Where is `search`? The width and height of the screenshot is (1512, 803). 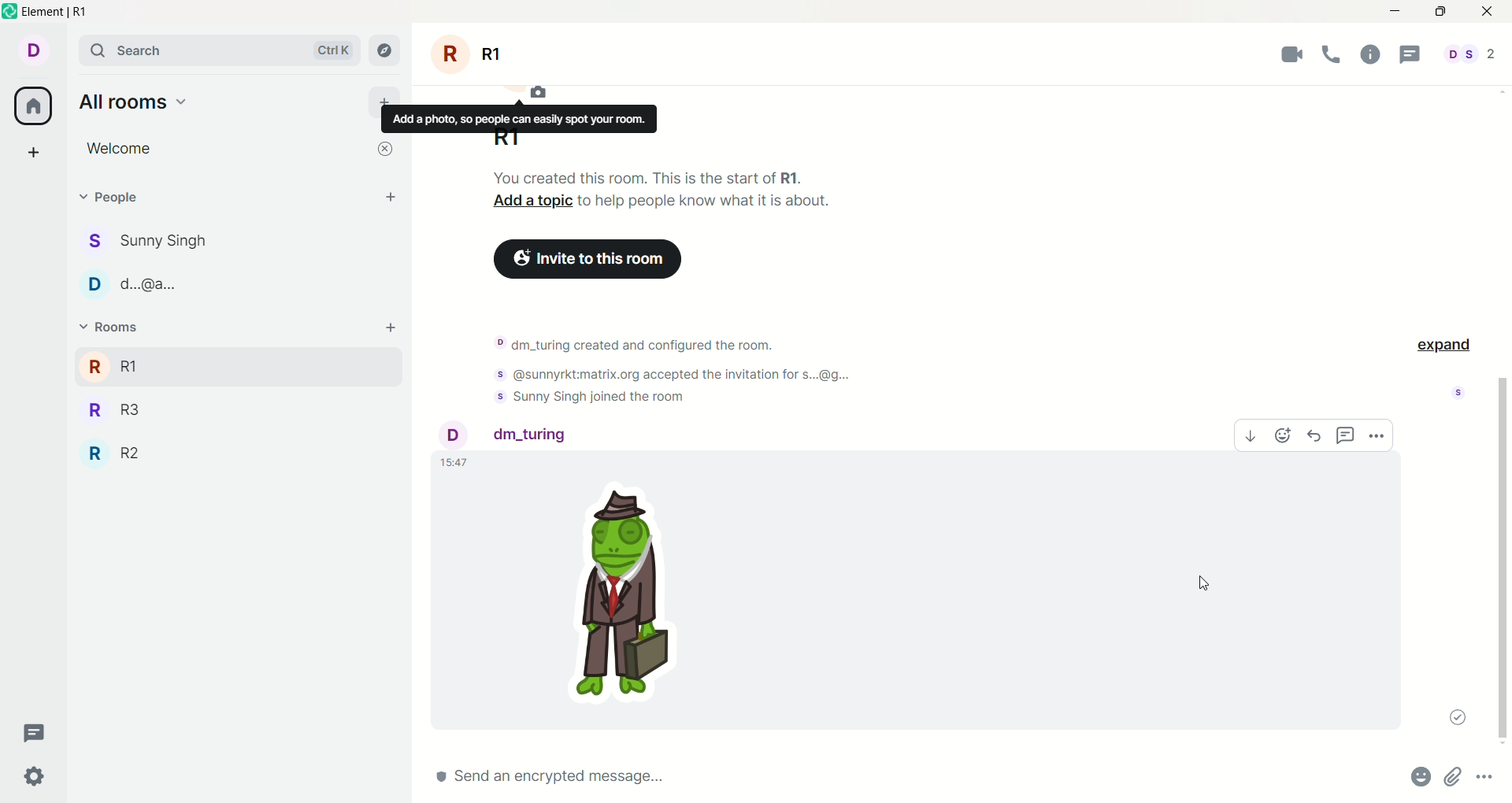 search is located at coordinates (221, 50).